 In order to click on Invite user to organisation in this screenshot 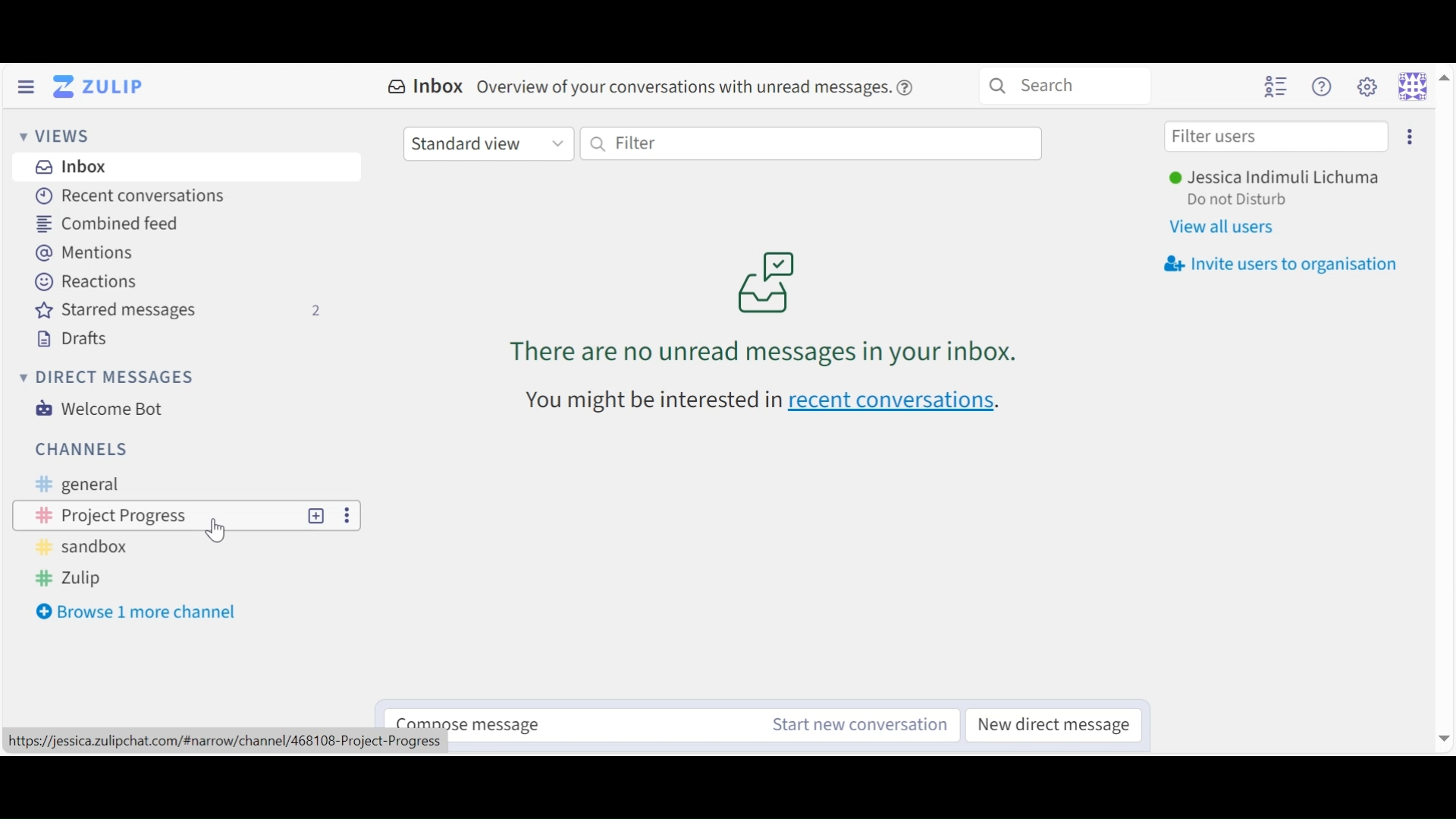, I will do `click(1278, 266)`.